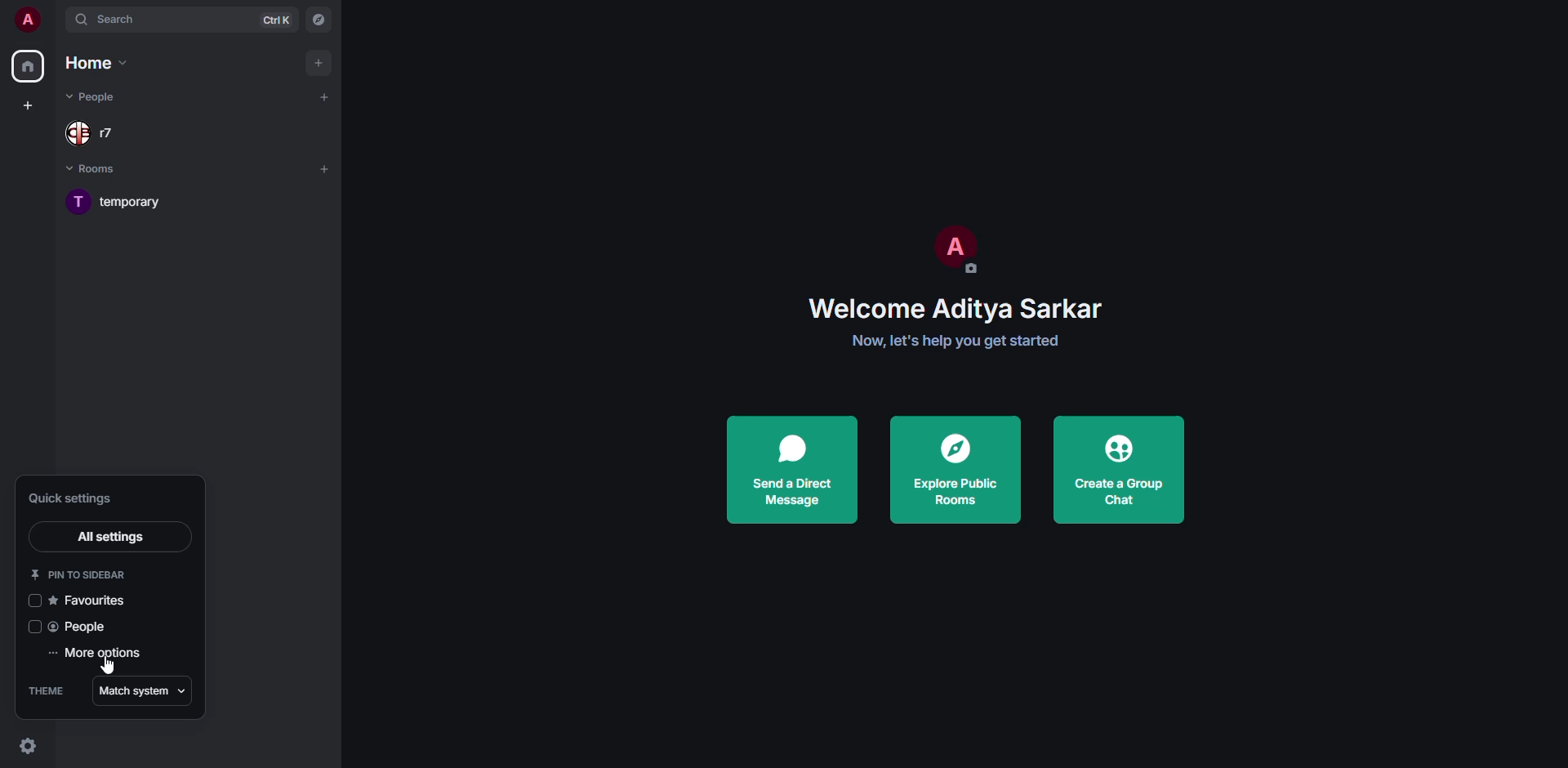 This screenshot has width=1568, height=768. I want to click on create space, so click(25, 105).